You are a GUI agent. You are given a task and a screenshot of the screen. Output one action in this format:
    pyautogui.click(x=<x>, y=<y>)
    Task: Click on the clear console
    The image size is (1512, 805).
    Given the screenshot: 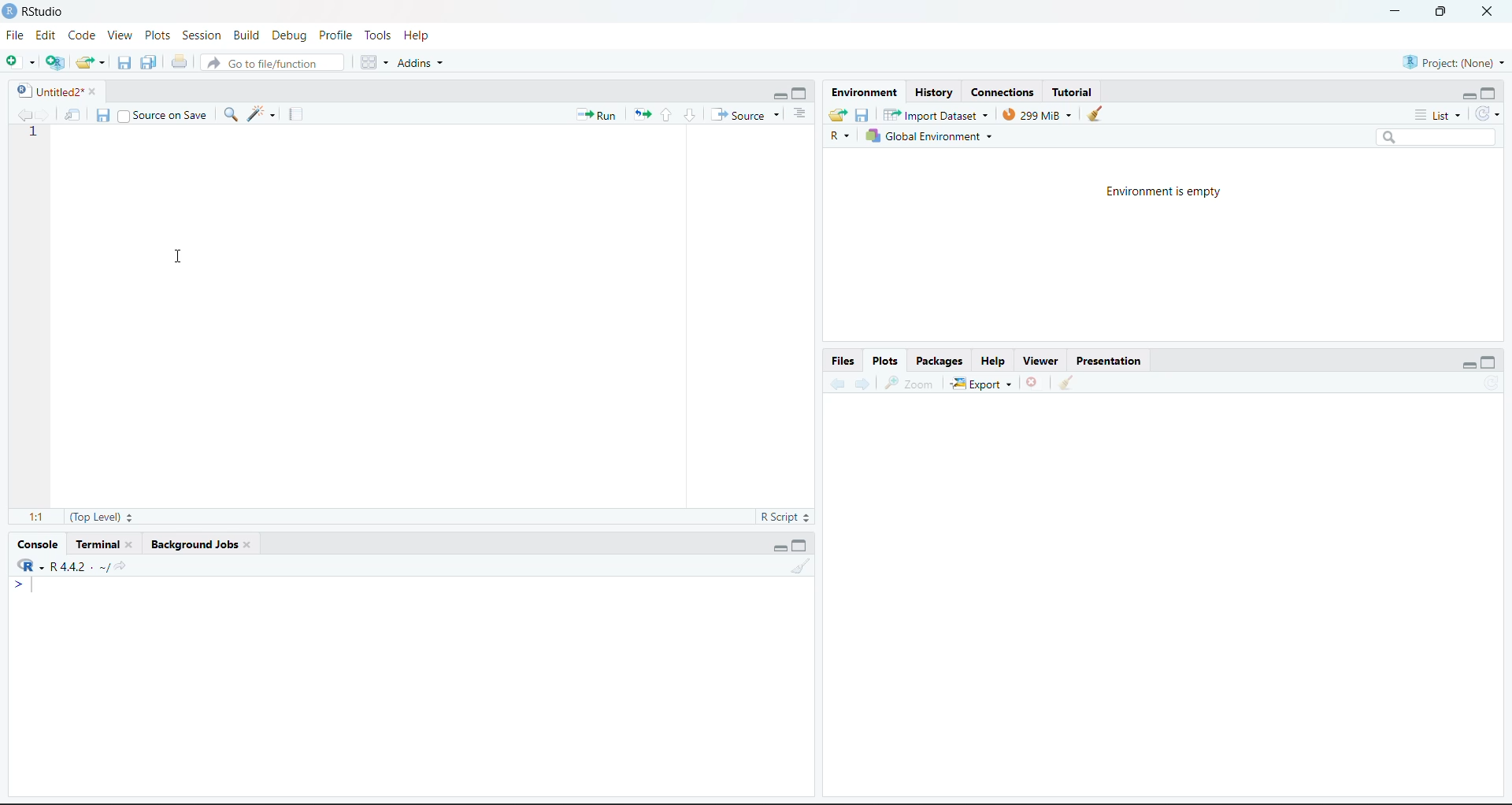 What is the action you would take?
    pyautogui.click(x=799, y=566)
    